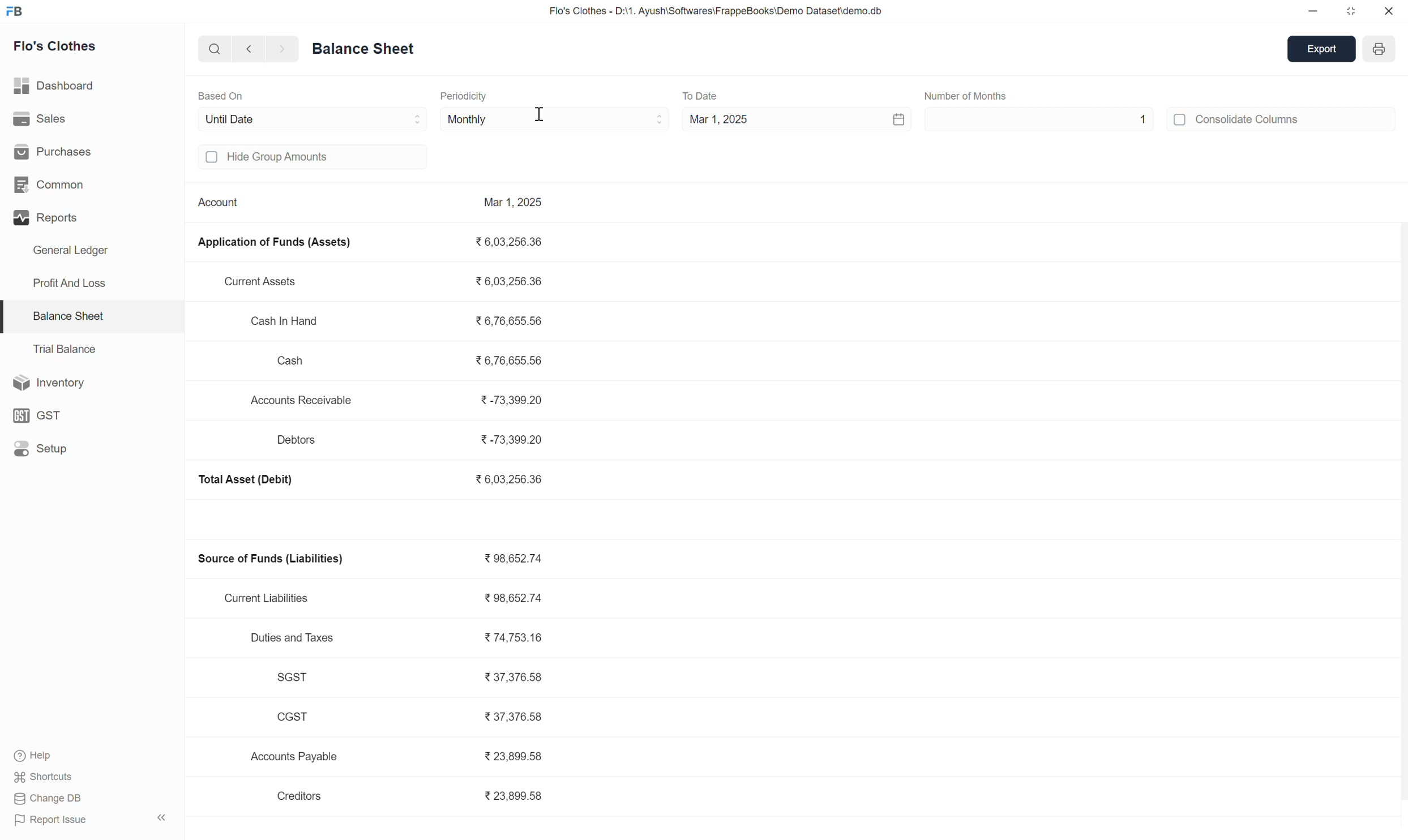 The height and width of the screenshot is (840, 1408). I want to click on Duties and Taxes 374,753.16, so click(401, 635).